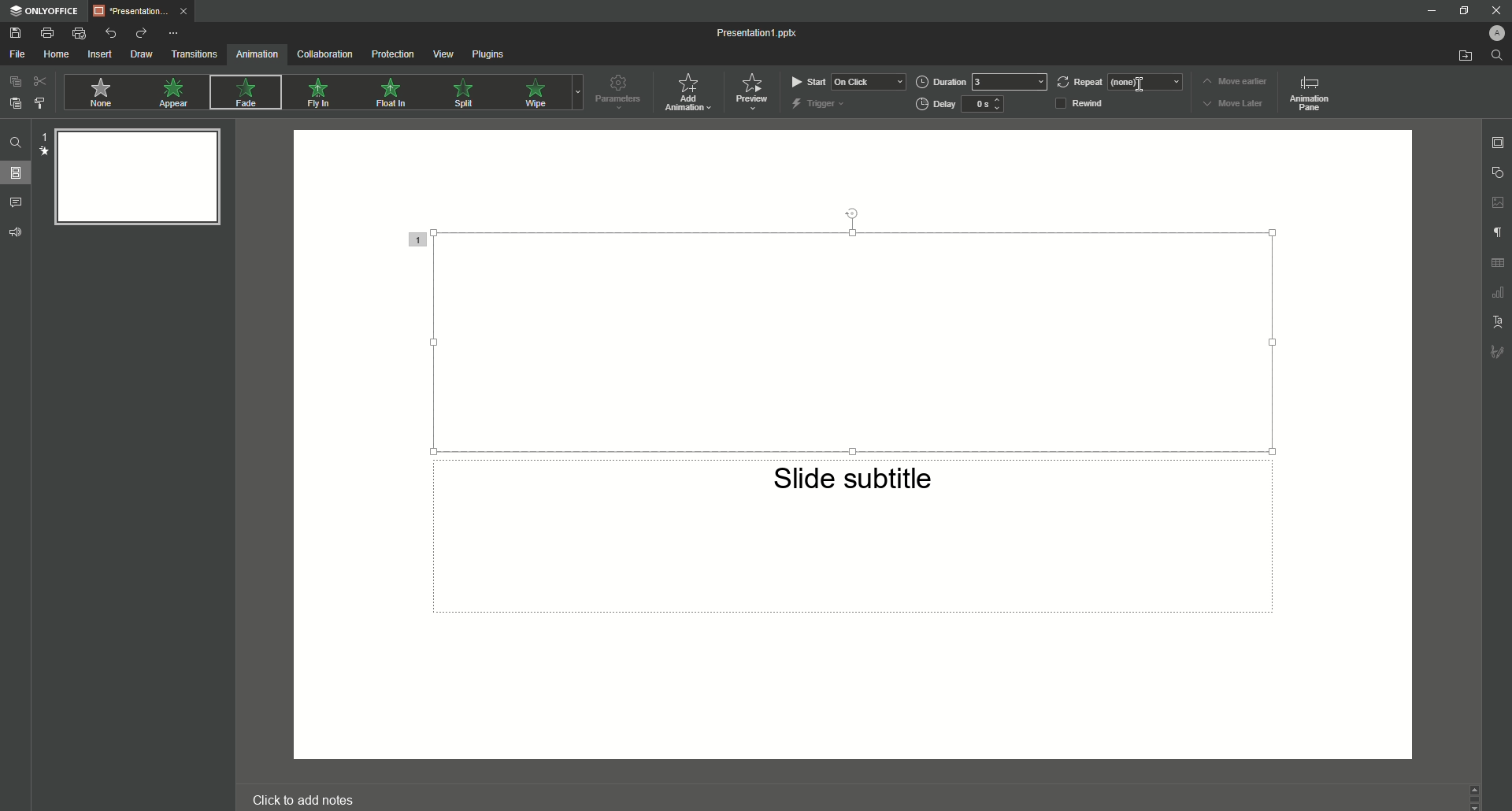 This screenshot has width=1512, height=811. Describe the element at coordinates (487, 54) in the screenshot. I see `Plugins` at that location.